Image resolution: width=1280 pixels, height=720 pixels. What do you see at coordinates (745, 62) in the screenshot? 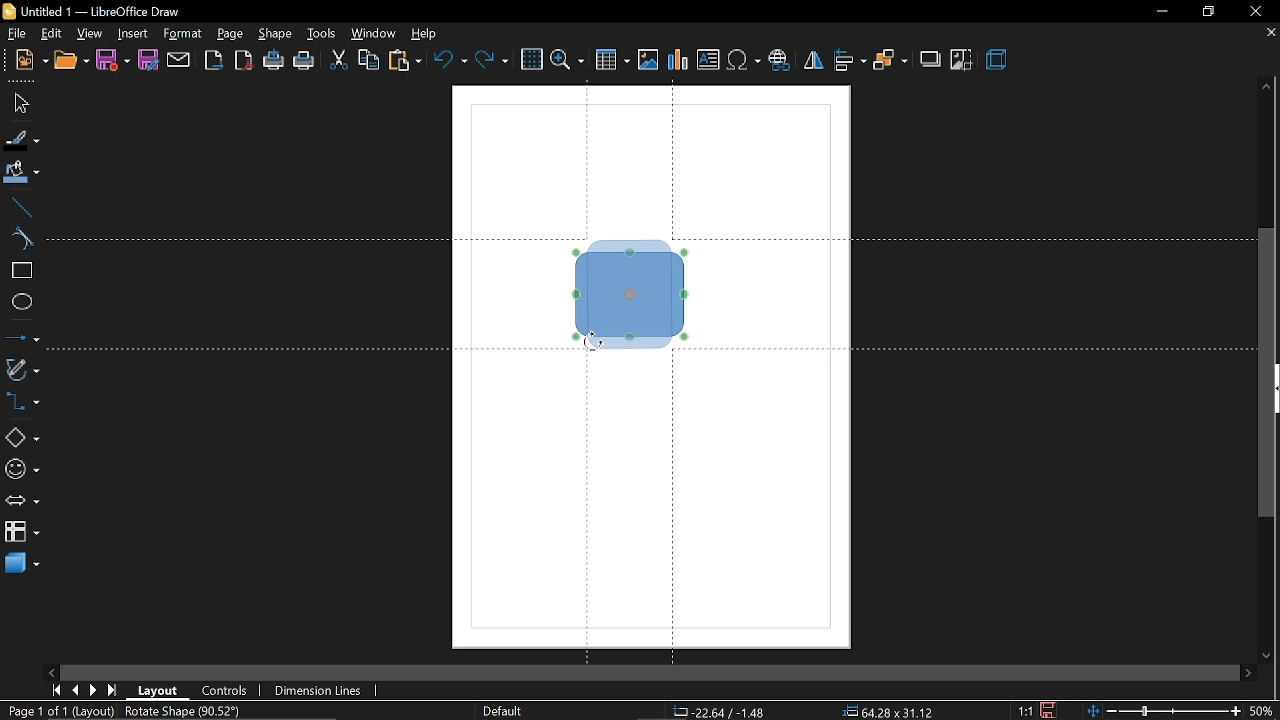
I see `insert symbol` at bounding box center [745, 62].